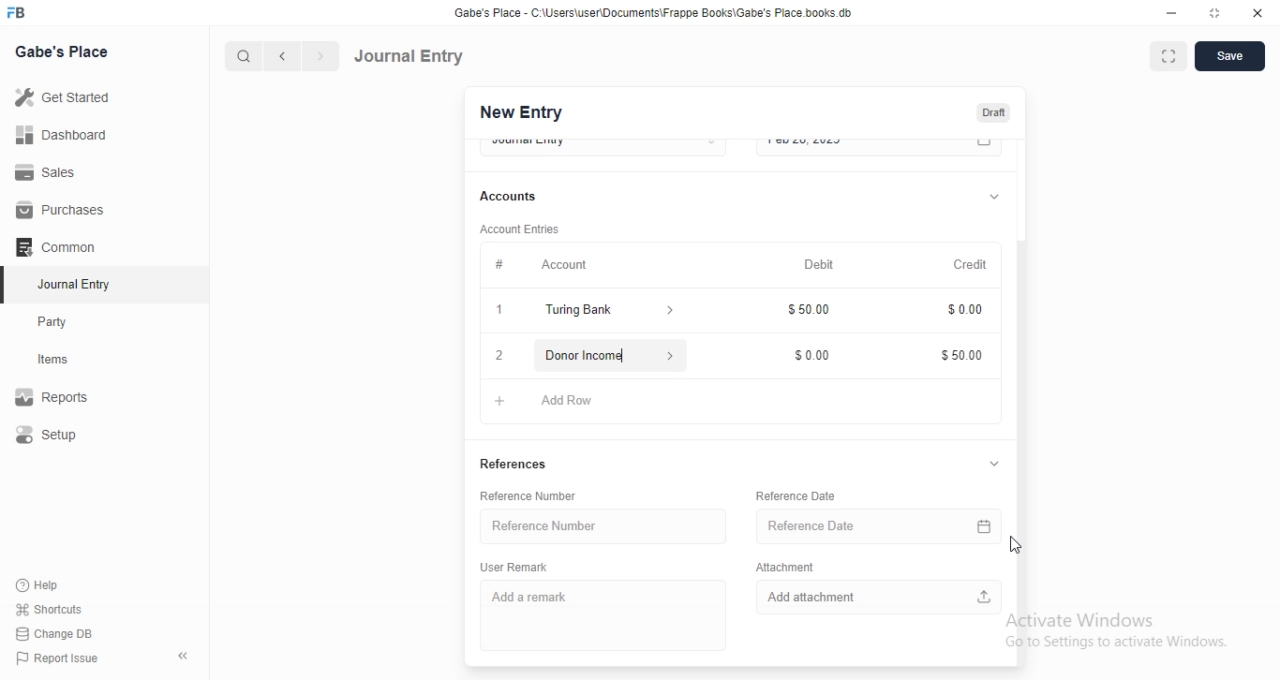  Describe the element at coordinates (60, 633) in the screenshot. I see `Change DB` at that location.